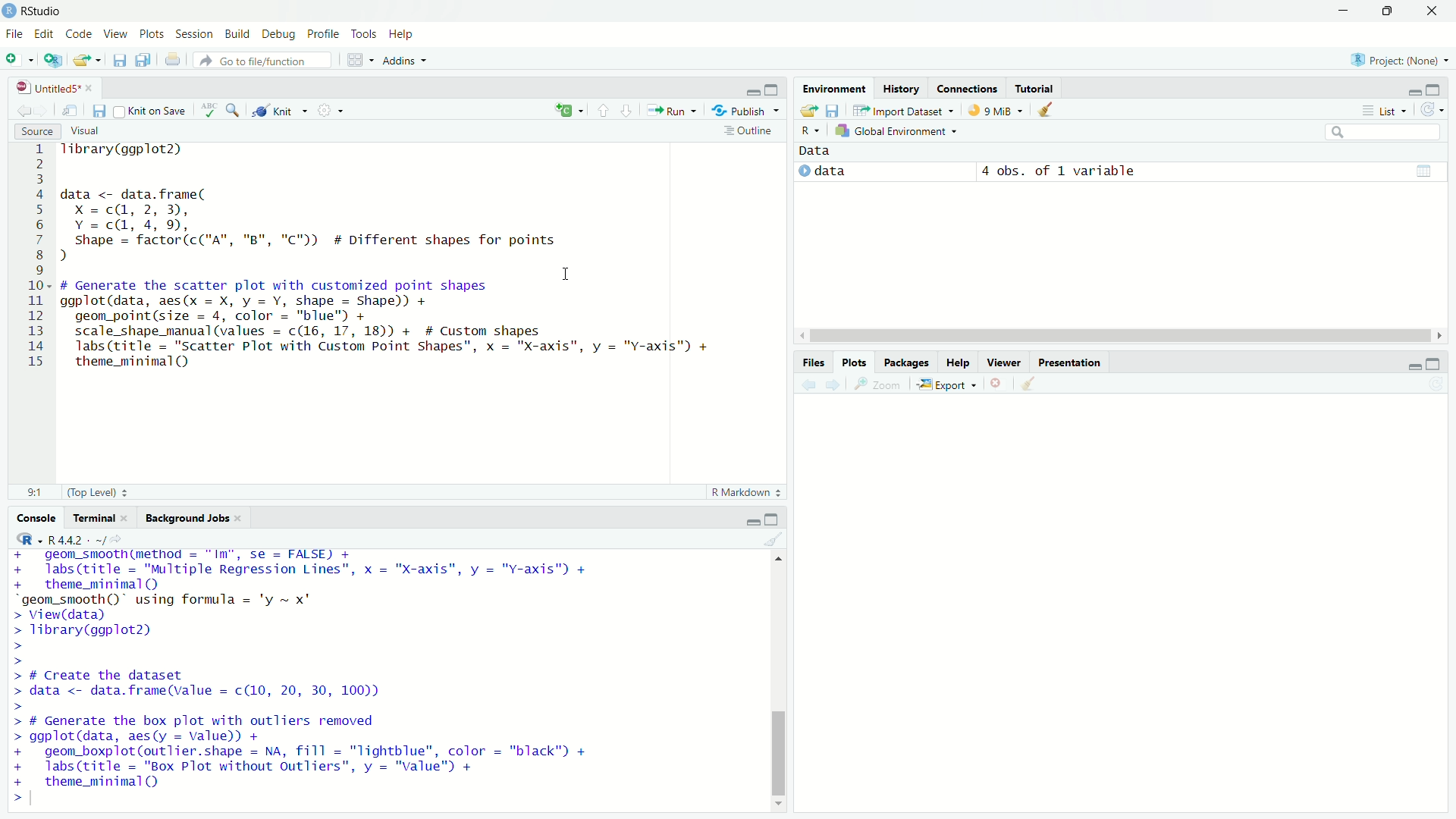 This screenshot has height=819, width=1456. What do you see at coordinates (853, 362) in the screenshot?
I see `Plots` at bounding box center [853, 362].